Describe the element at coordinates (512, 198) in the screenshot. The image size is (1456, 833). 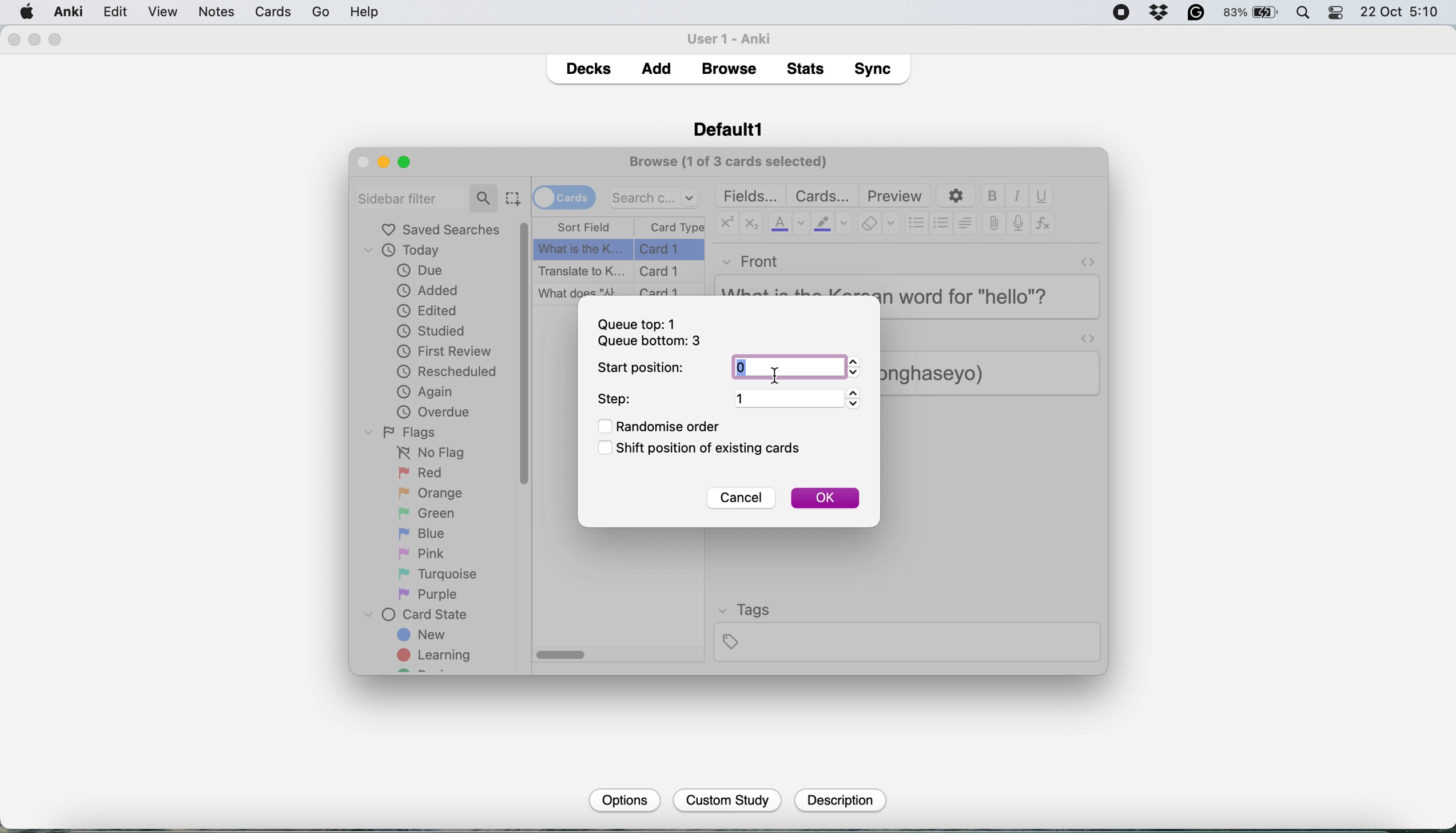
I see `selection tool` at that location.